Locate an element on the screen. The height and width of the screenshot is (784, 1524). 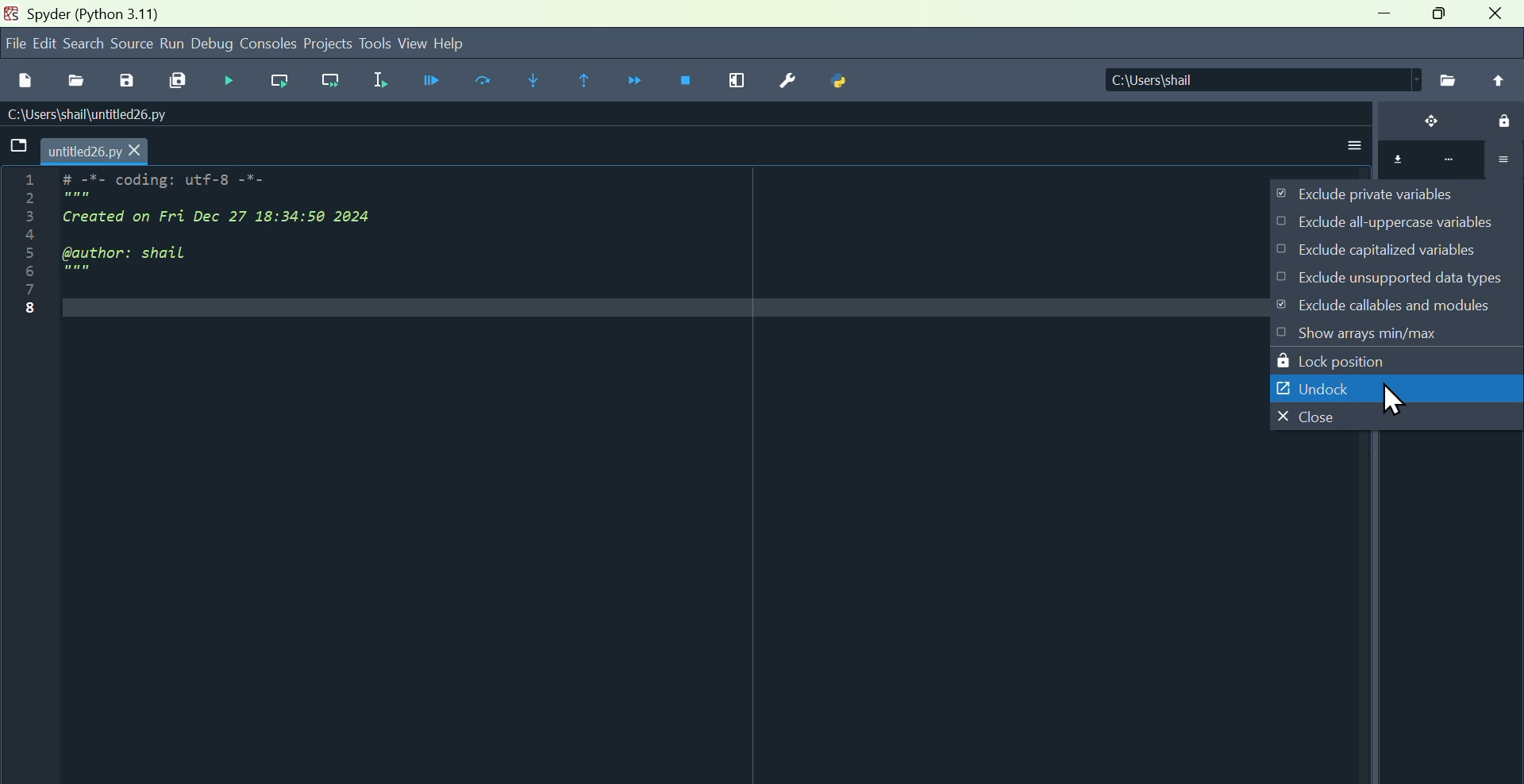
© Exclude private variables is located at coordinates (1377, 194).